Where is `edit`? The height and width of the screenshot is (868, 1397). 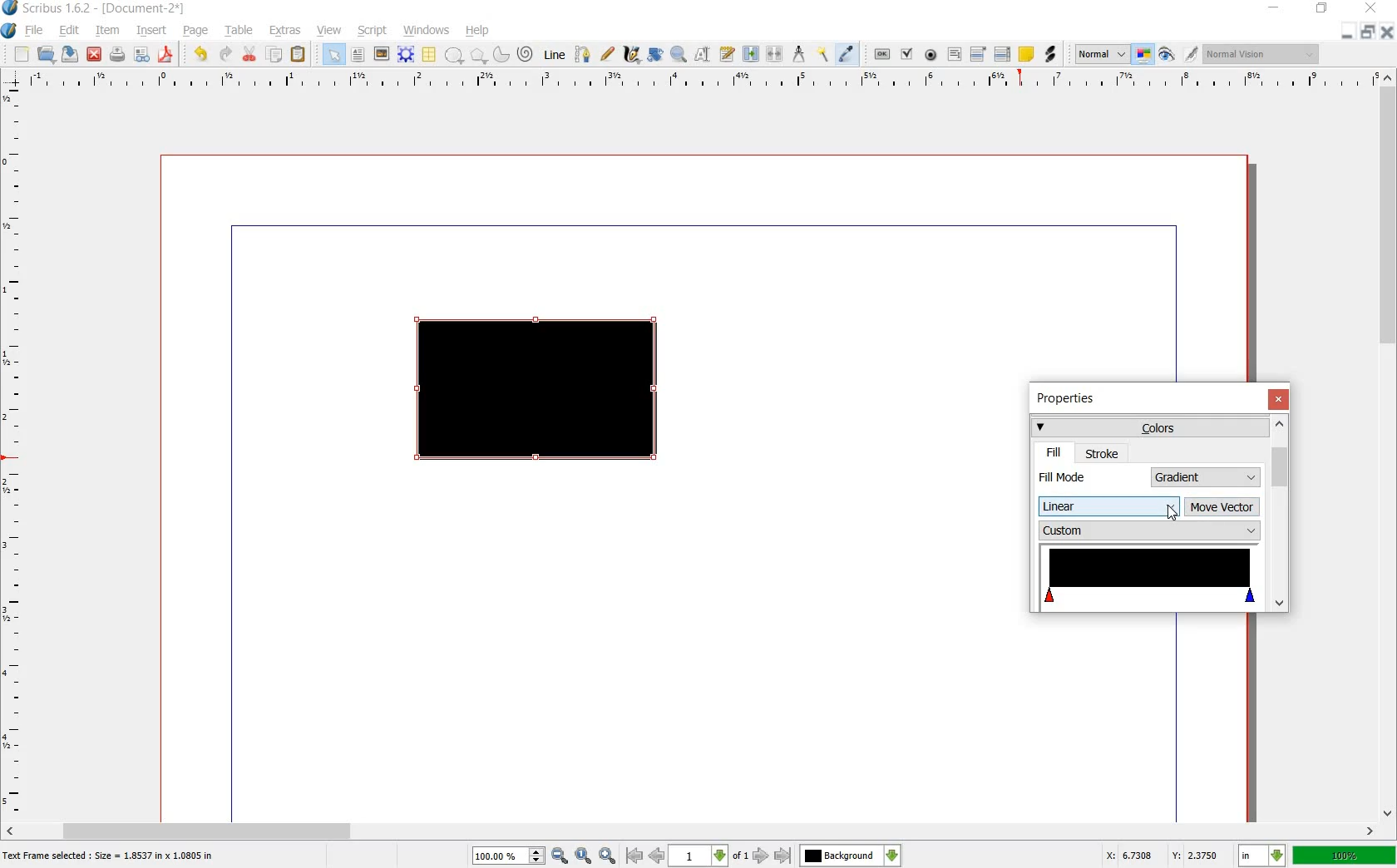
edit is located at coordinates (70, 31).